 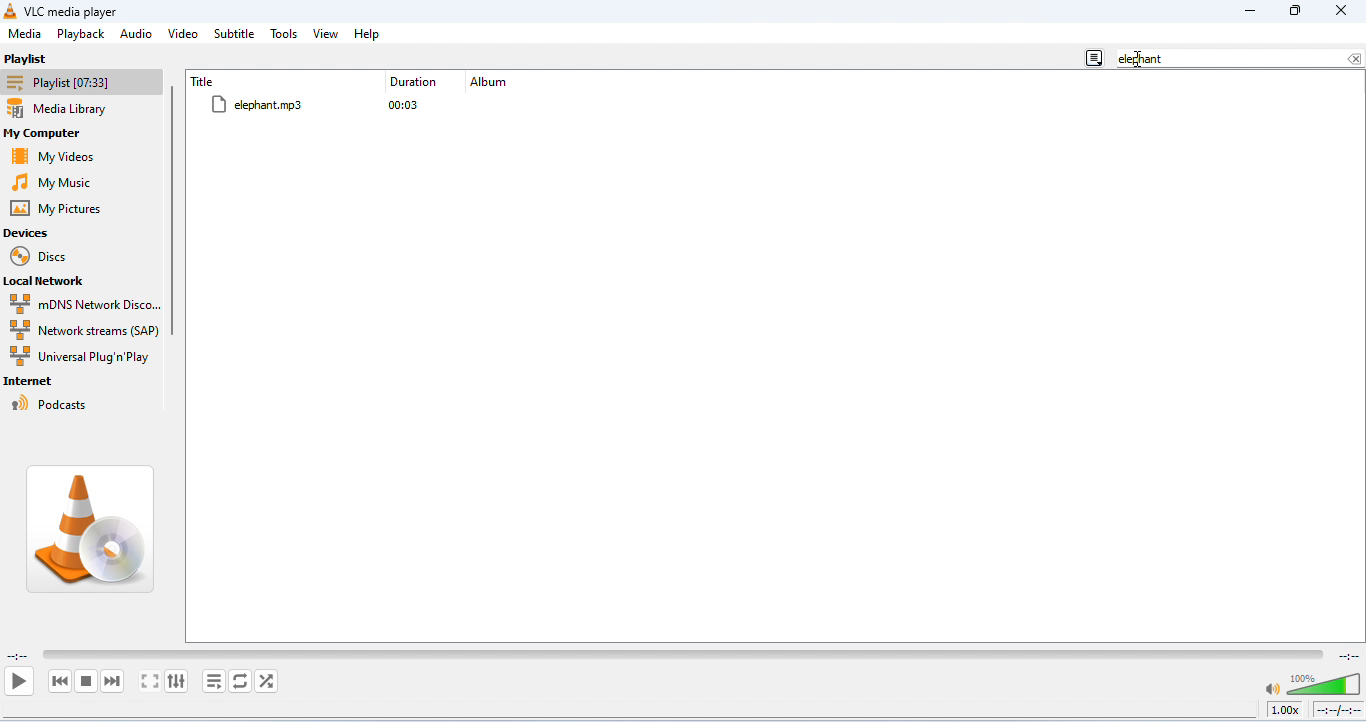 I want to click on volume 100%, so click(x=1310, y=680).